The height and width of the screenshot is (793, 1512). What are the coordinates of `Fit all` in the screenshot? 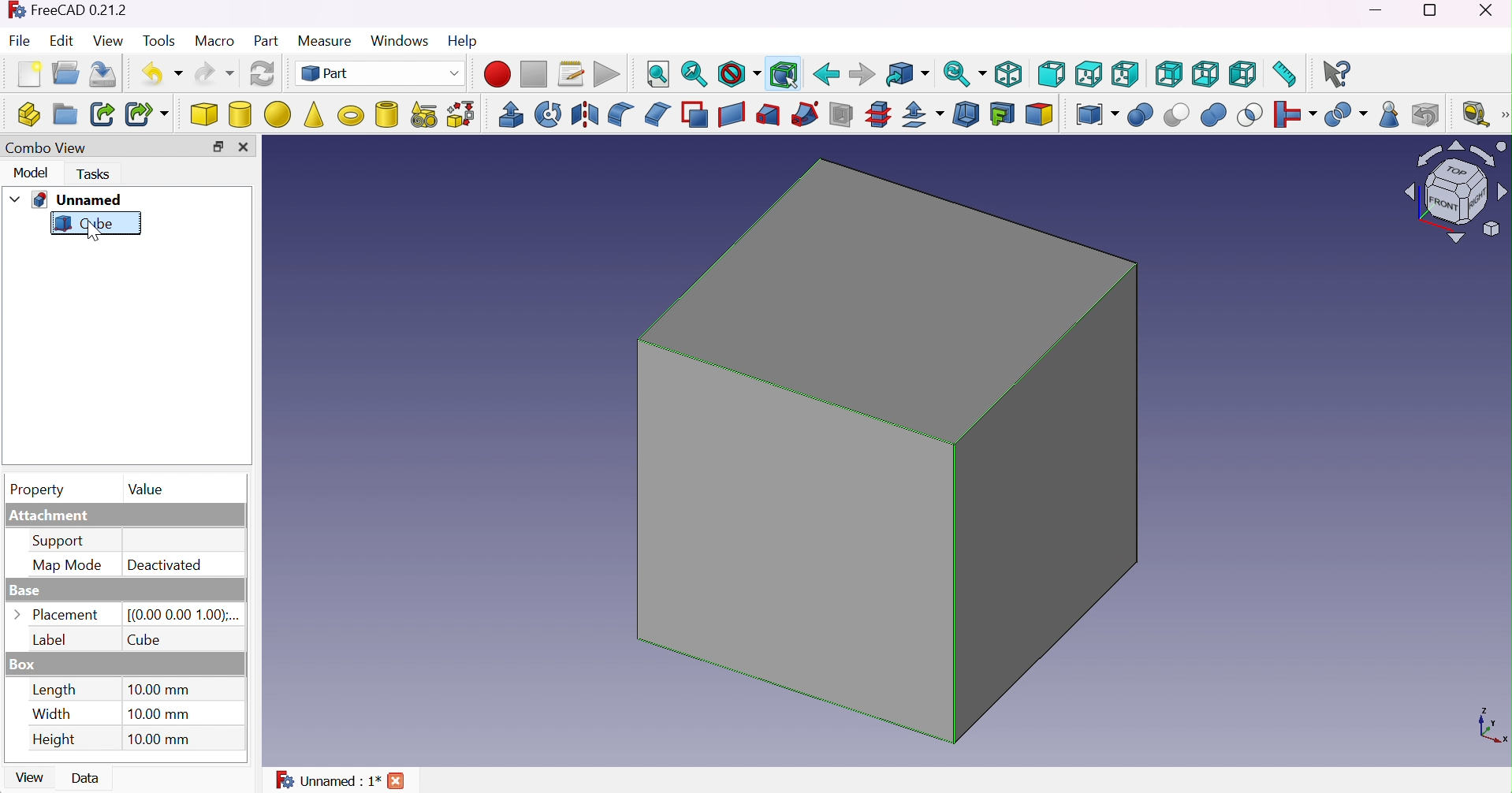 It's located at (657, 75).